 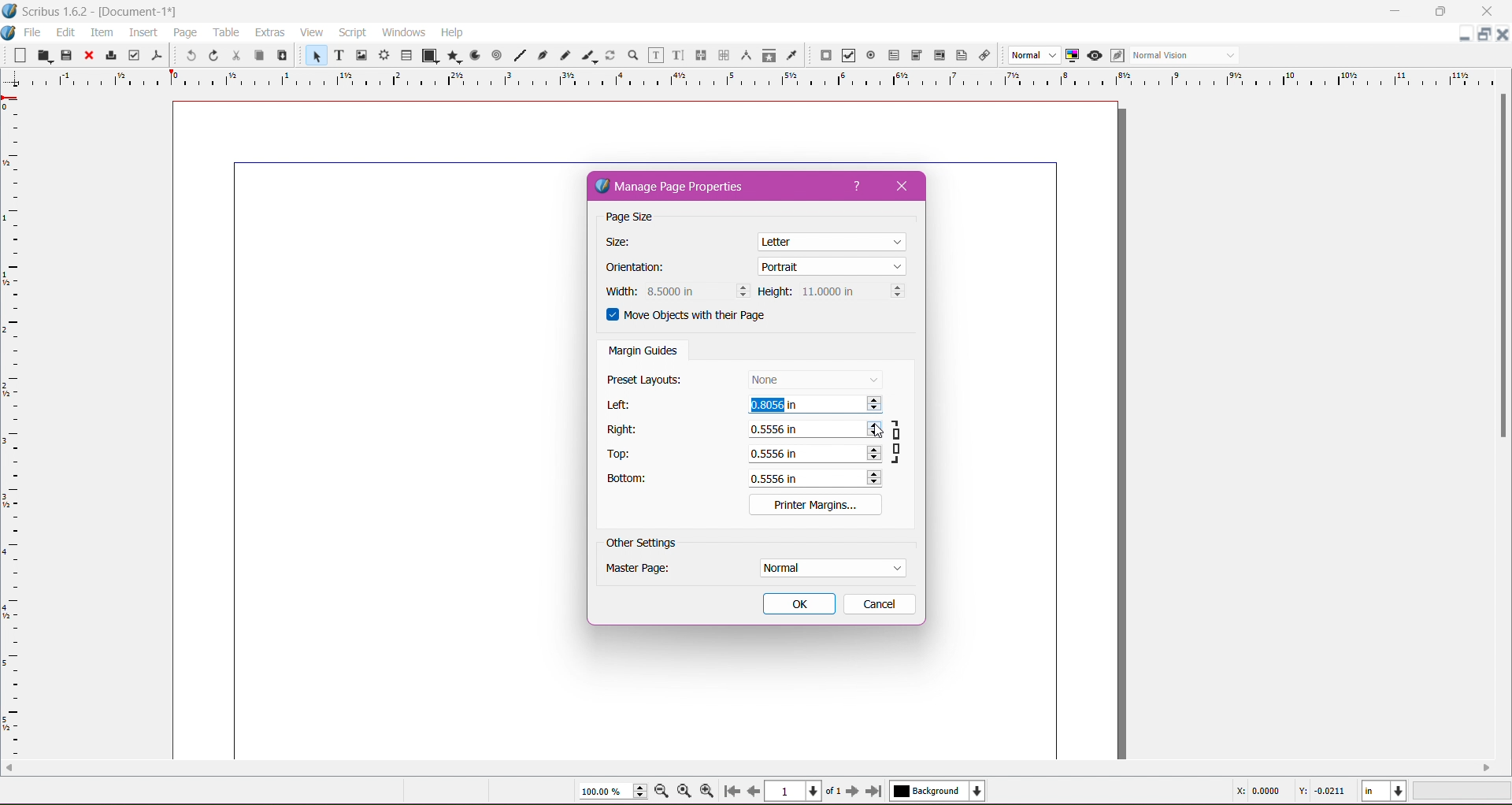 What do you see at coordinates (654, 56) in the screenshot?
I see `Edit Contents of Frame` at bounding box center [654, 56].